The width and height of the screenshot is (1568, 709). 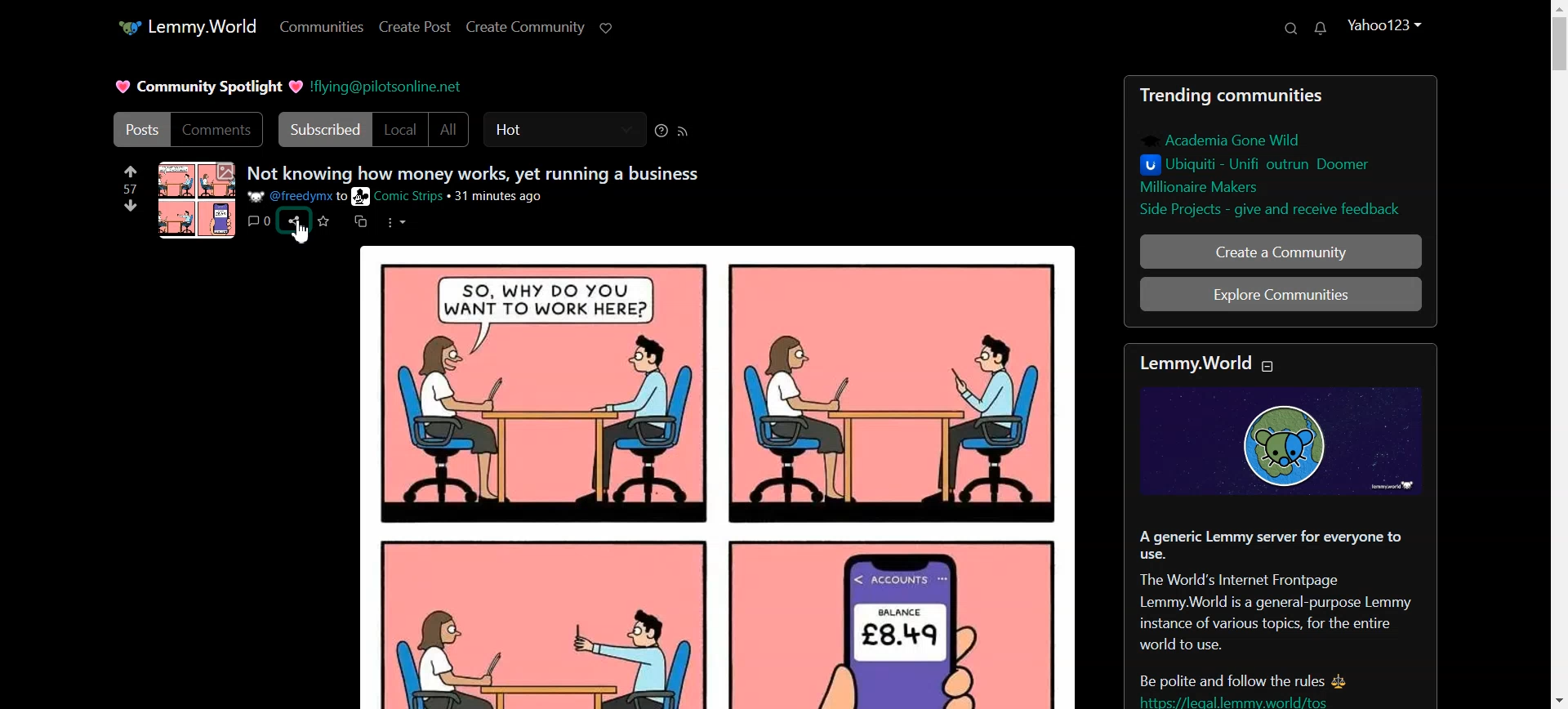 I want to click on Text, so click(x=474, y=174).